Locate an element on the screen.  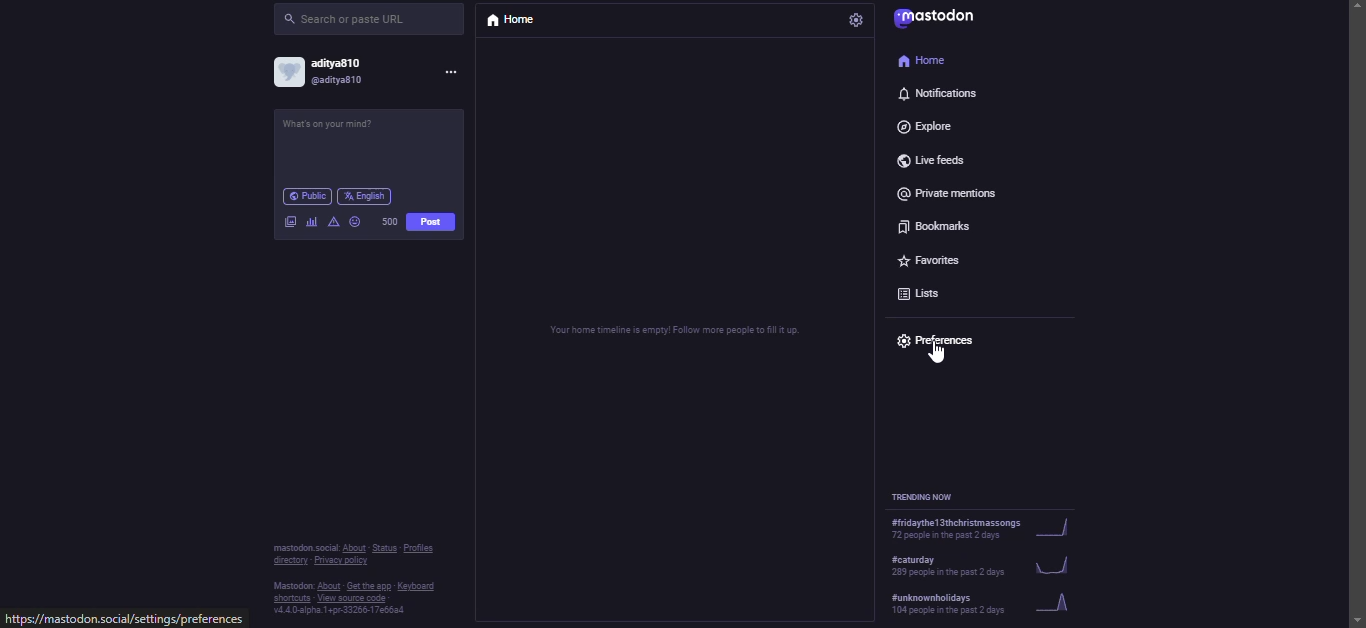
favorites is located at coordinates (925, 257).